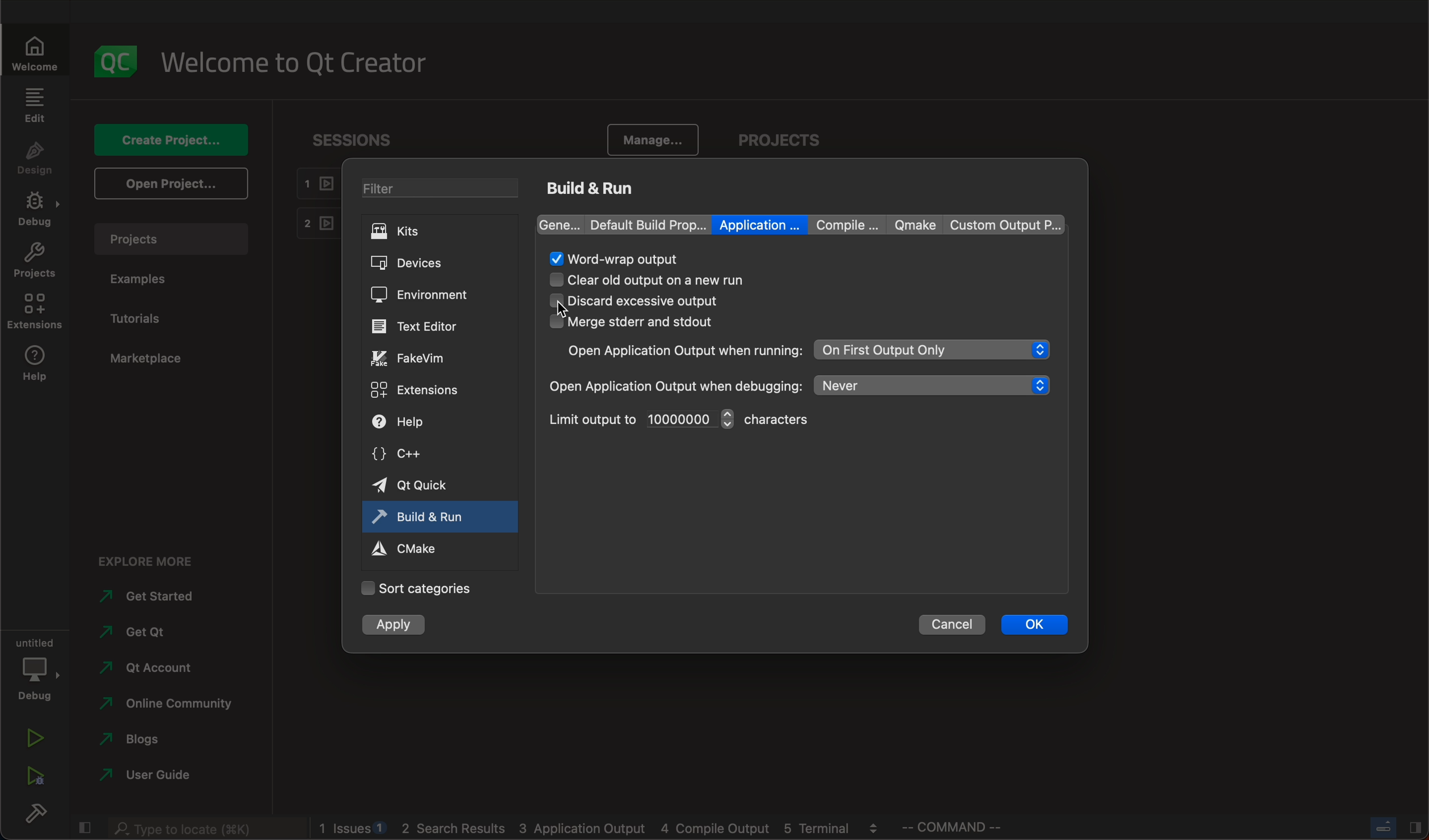  Describe the element at coordinates (30, 366) in the screenshot. I see `help` at that location.